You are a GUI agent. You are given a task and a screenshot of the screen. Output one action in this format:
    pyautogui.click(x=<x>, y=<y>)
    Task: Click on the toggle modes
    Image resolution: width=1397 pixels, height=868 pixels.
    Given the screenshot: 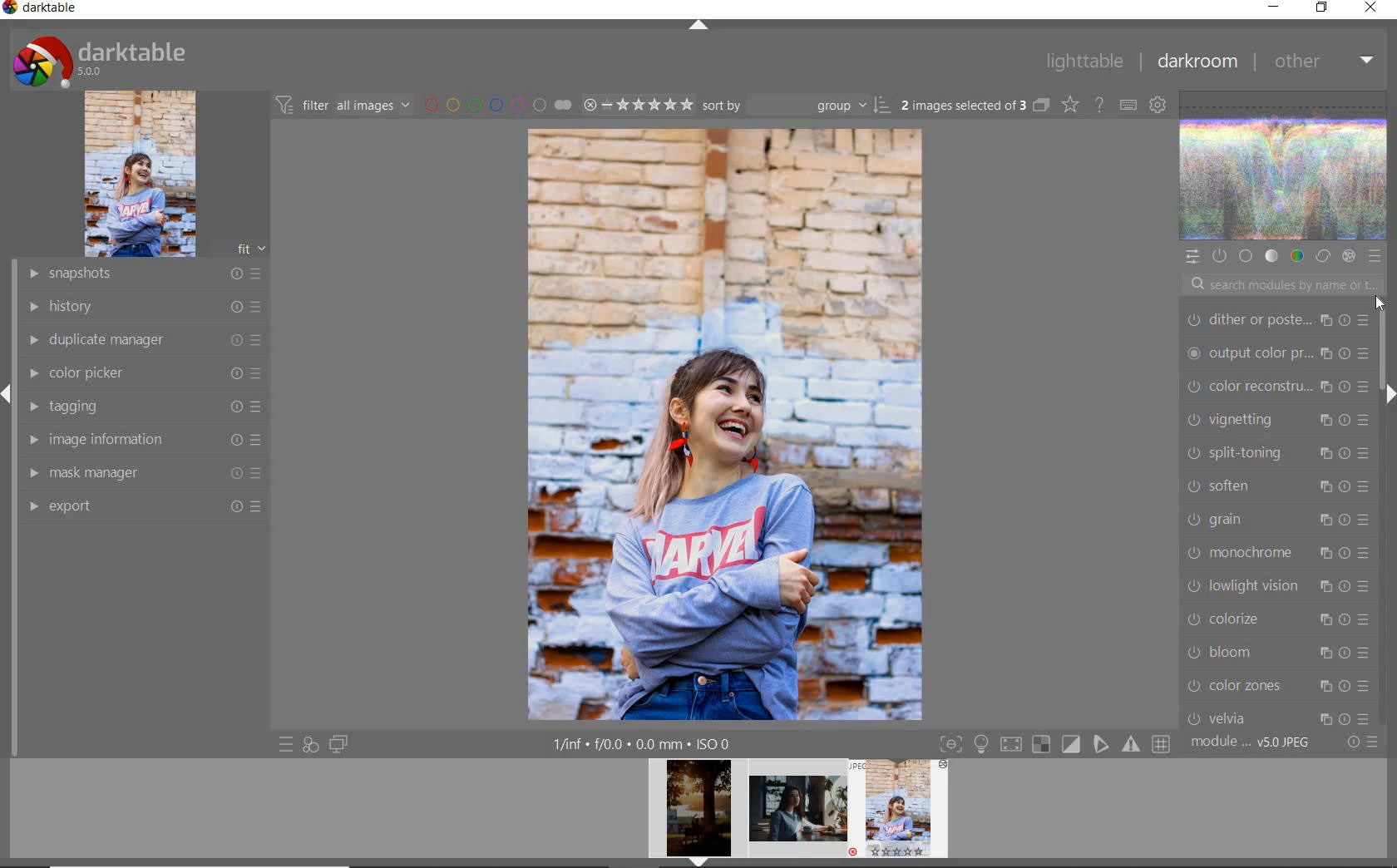 What is the action you would take?
    pyautogui.click(x=1055, y=742)
    